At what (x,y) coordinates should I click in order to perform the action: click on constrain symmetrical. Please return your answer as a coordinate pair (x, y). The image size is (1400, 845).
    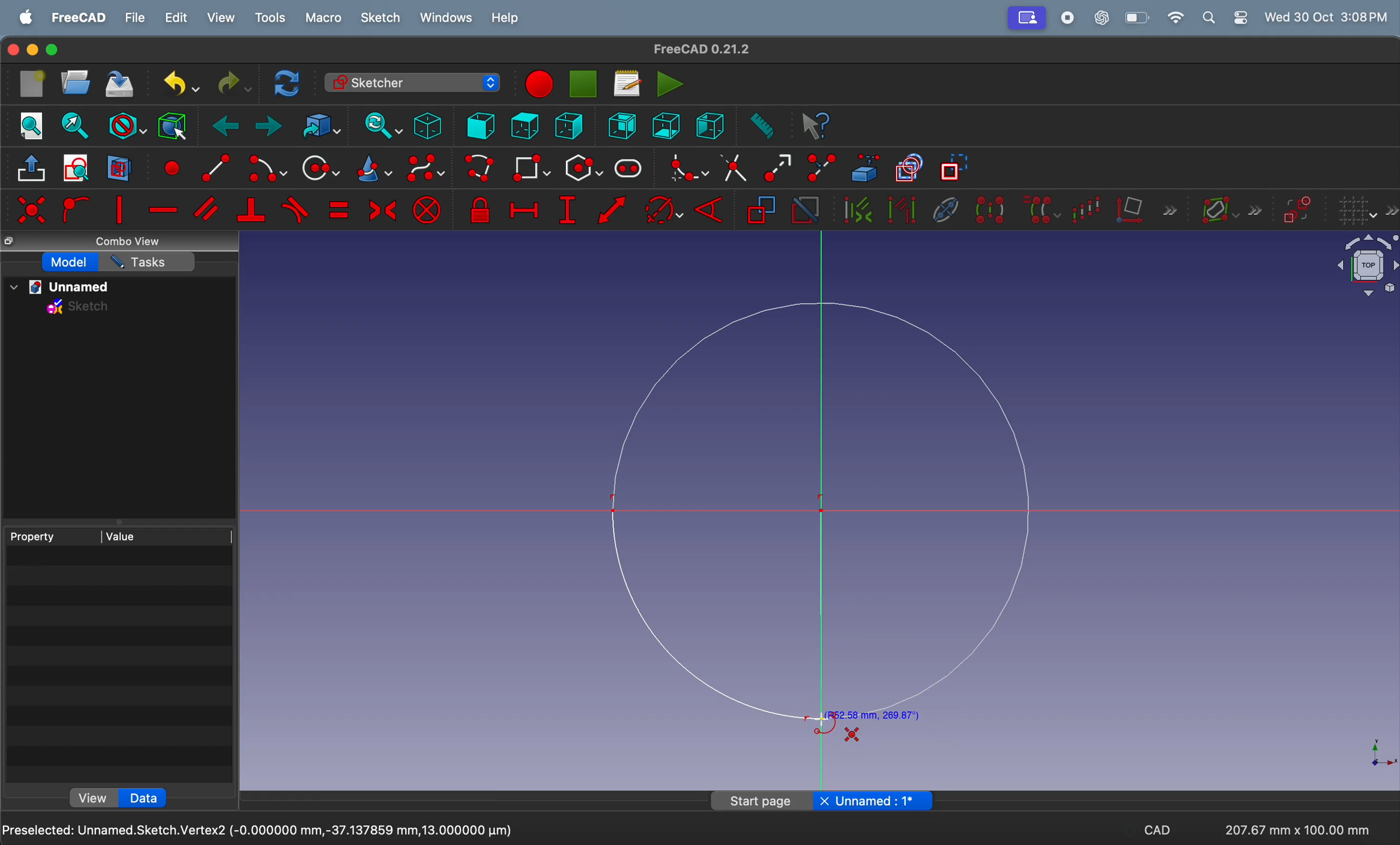
    Looking at the image, I should click on (381, 209).